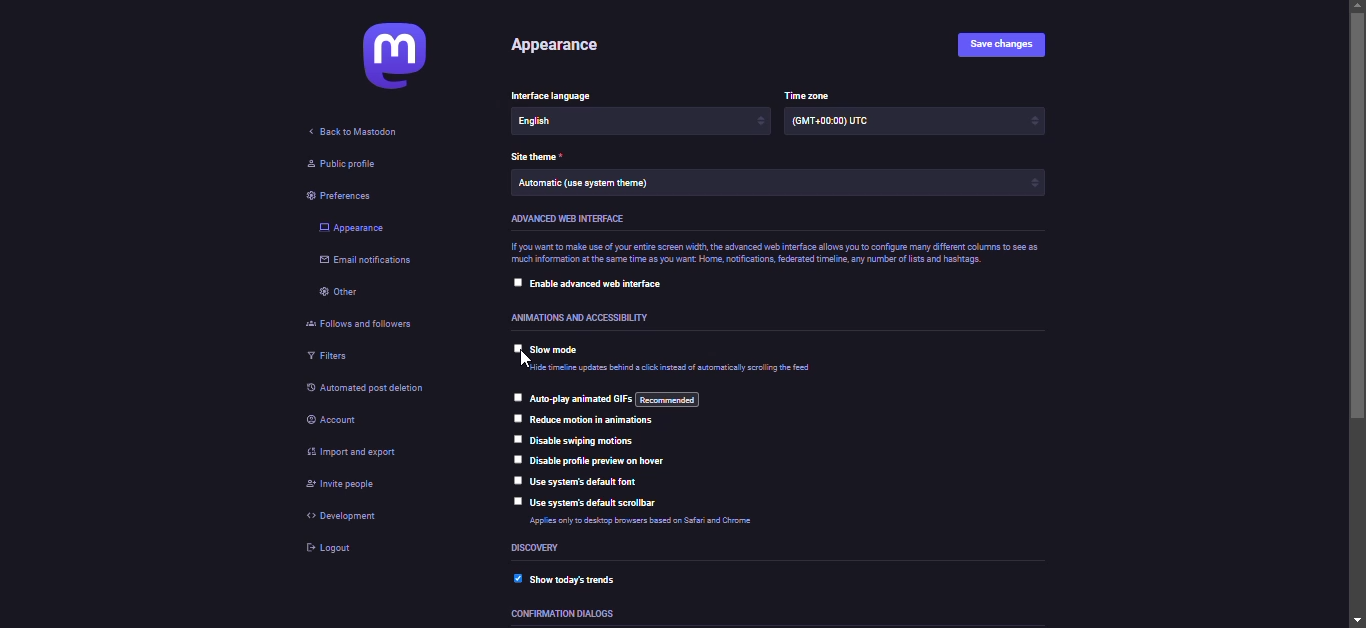 This screenshot has height=628, width=1366. Describe the element at coordinates (767, 182) in the screenshot. I see `Automatic (use system theme)` at that location.